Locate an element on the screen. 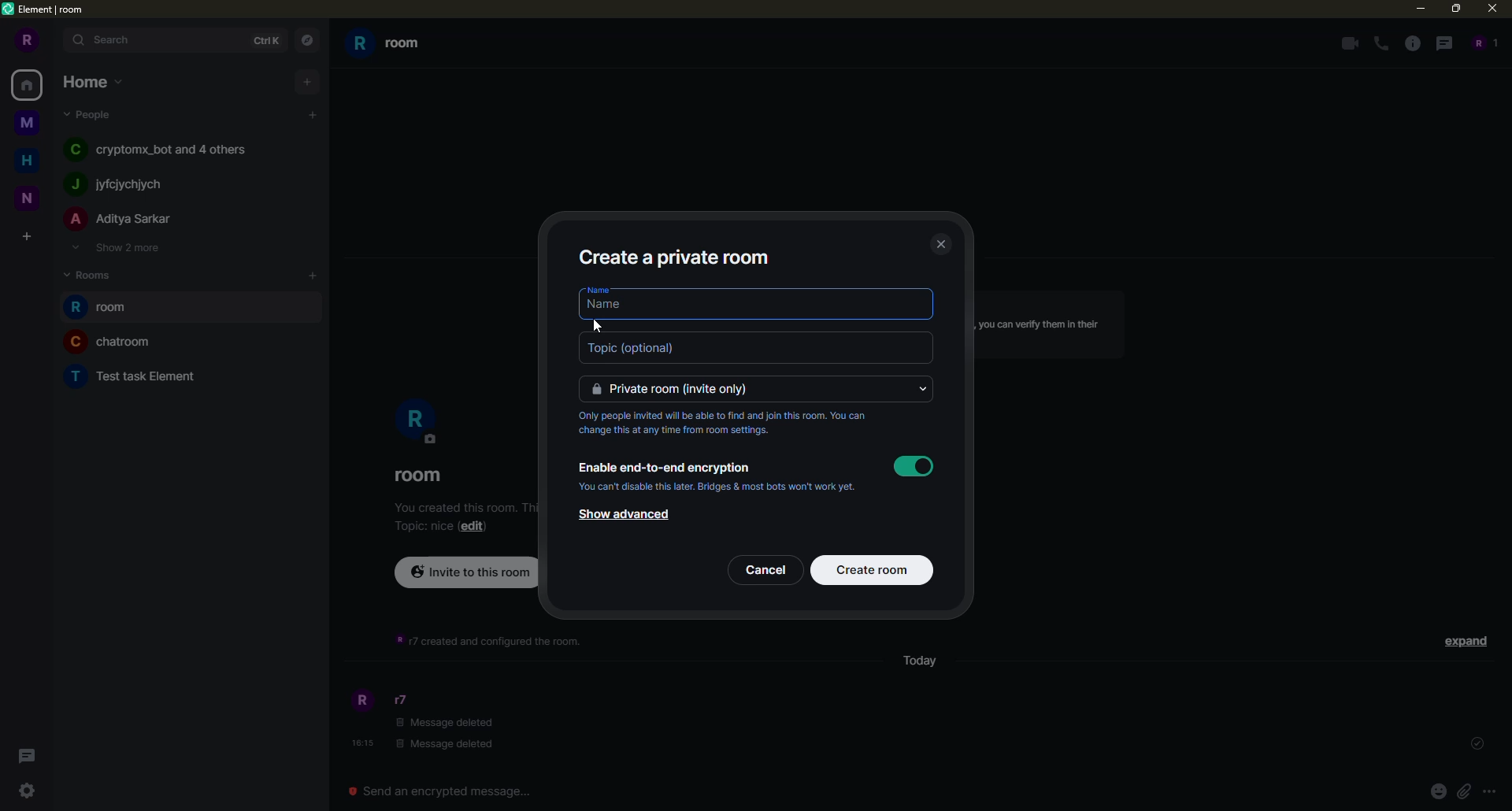 The image size is (1512, 811). info is located at coordinates (721, 487).